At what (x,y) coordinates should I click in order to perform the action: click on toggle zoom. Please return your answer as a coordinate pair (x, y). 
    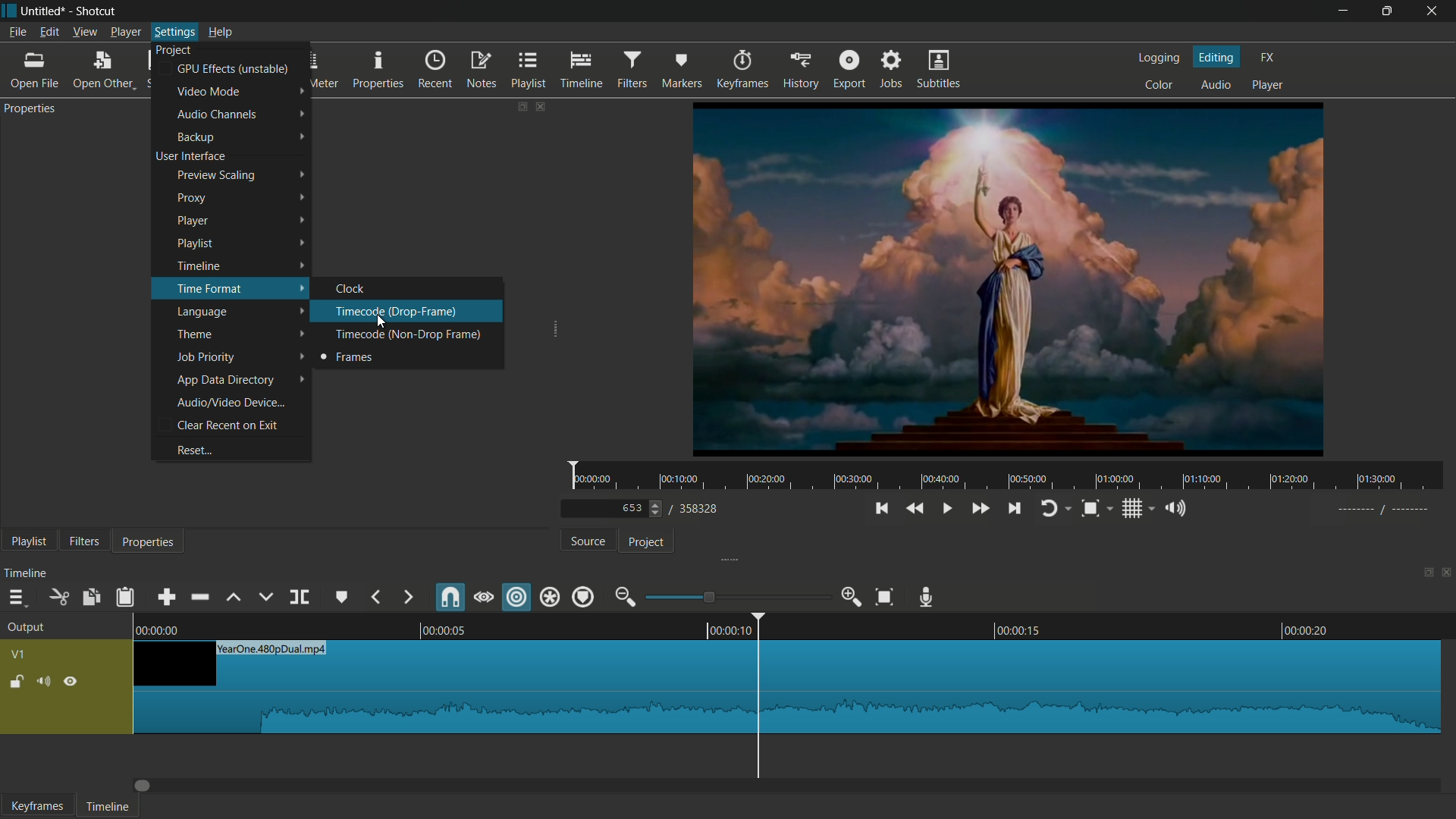
    Looking at the image, I should click on (1093, 509).